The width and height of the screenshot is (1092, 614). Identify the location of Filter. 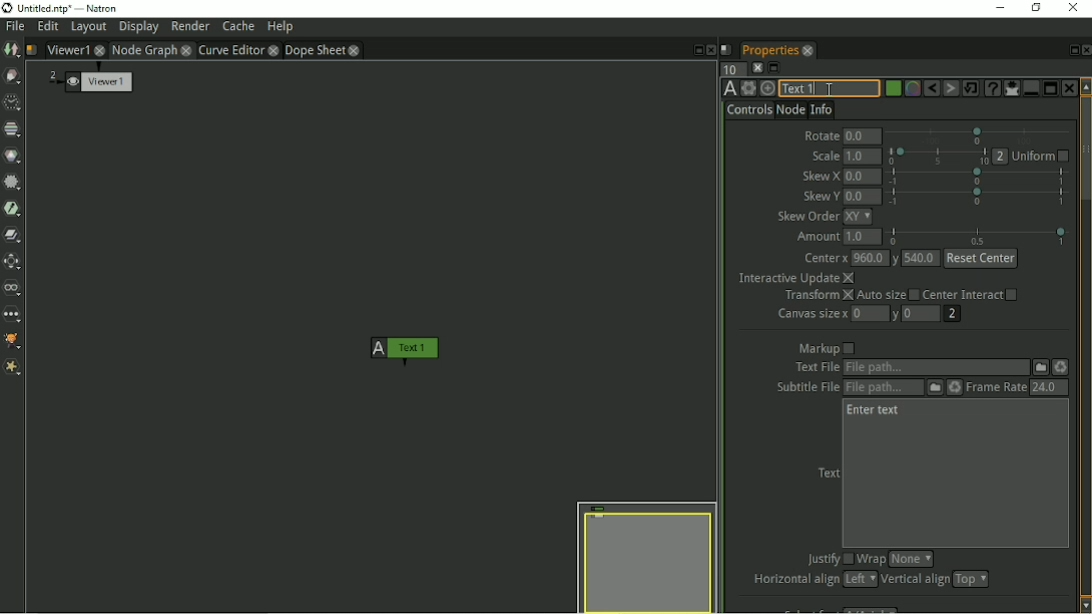
(12, 183).